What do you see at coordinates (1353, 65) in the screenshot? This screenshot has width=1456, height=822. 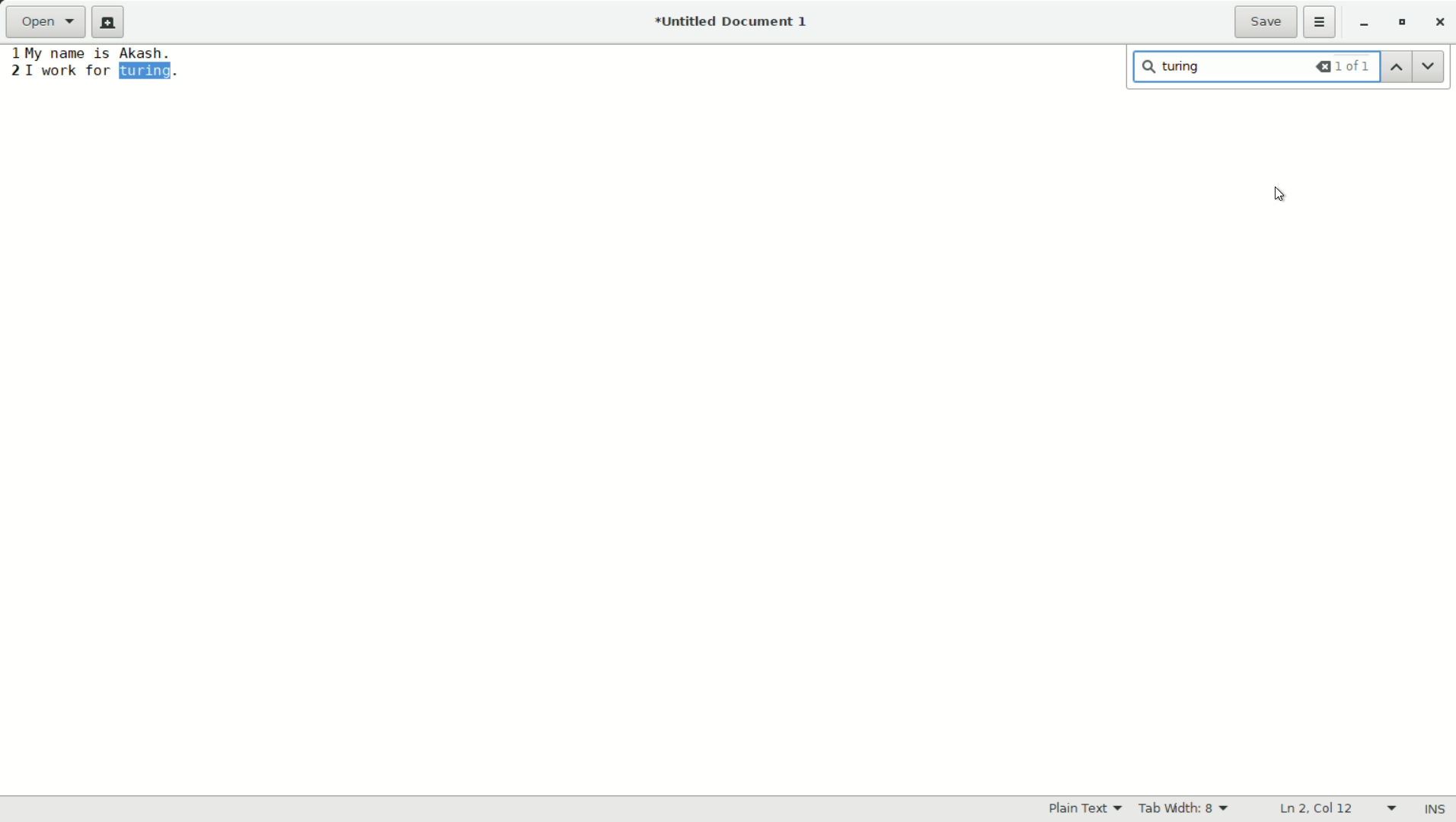 I see `1 of 1` at bounding box center [1353, 65].